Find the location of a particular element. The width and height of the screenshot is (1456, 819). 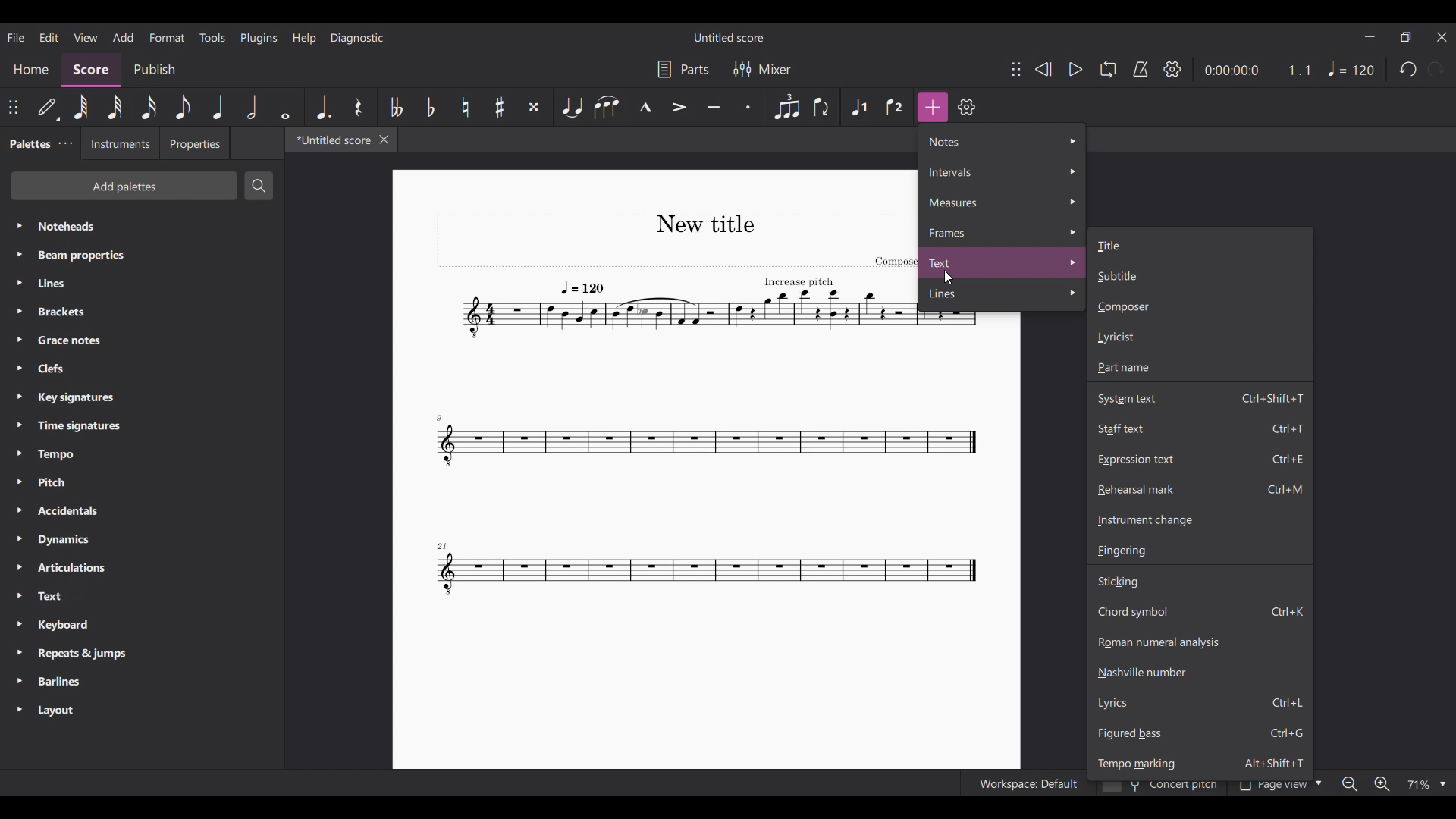

Change position is located at coordinates (1016, 69).